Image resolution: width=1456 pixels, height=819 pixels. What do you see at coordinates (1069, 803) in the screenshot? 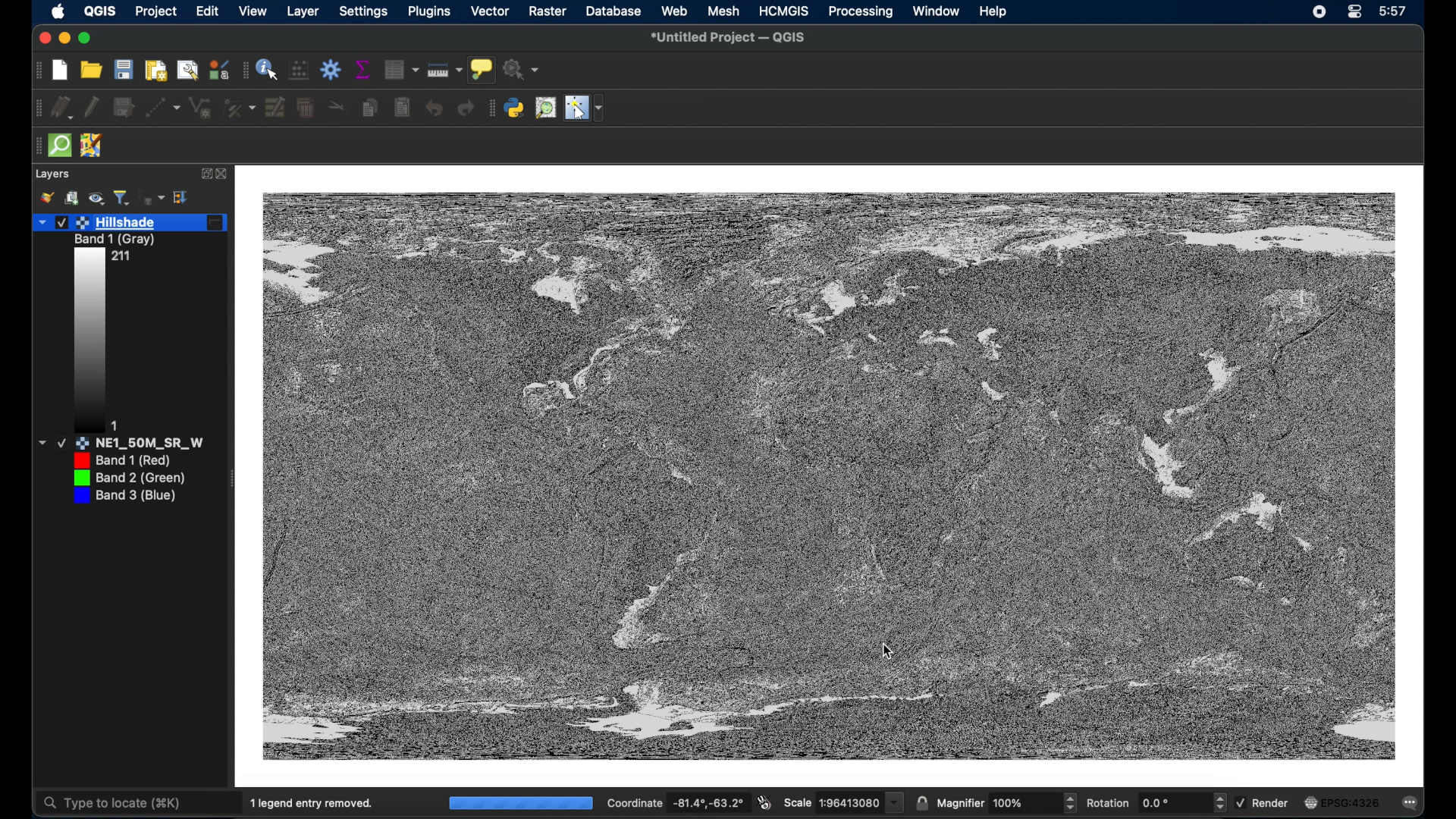
I see `increase/decrease arrows` at bounding box center [1069, 803].